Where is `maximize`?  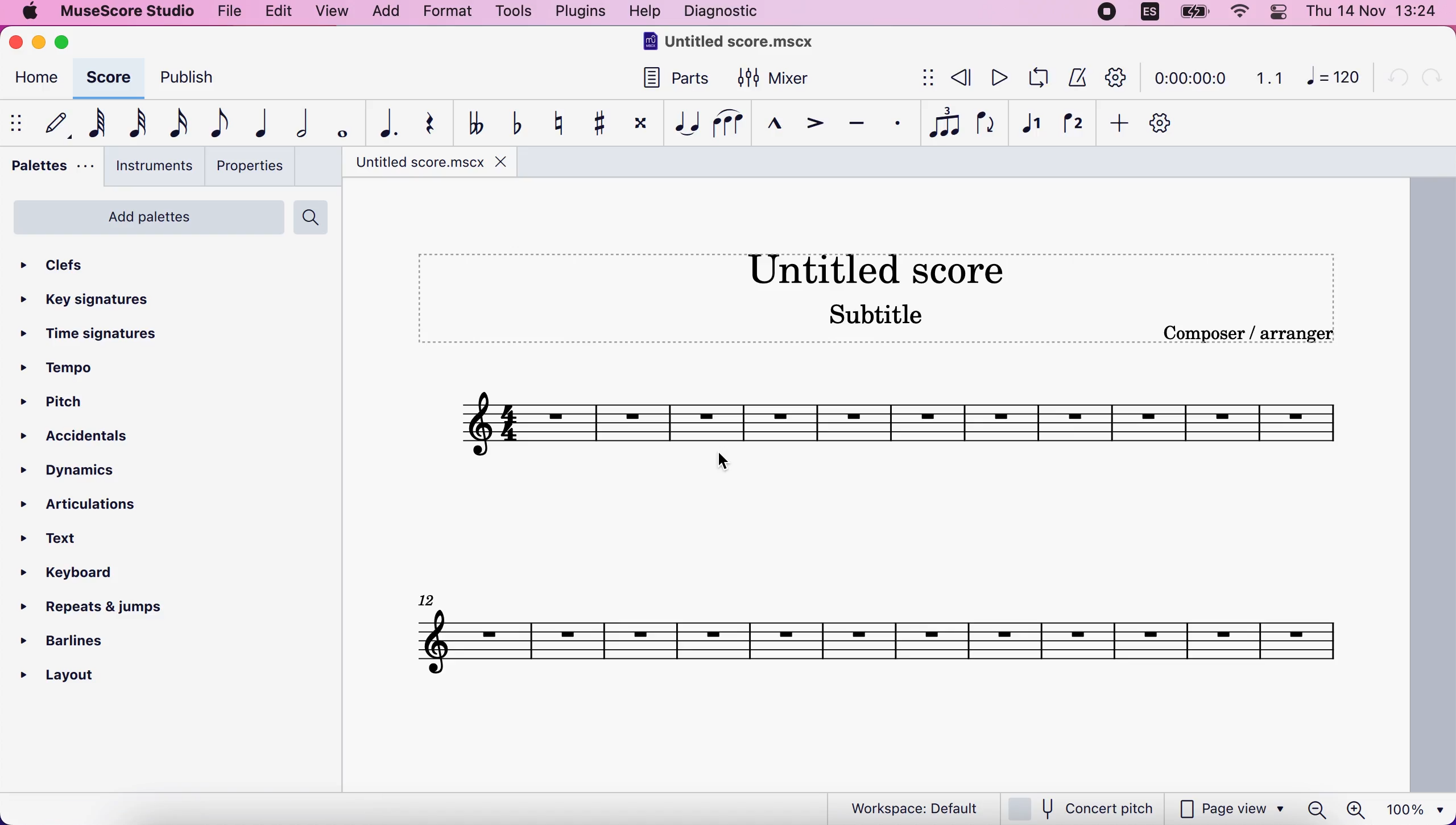 maximize is located at coordinates (67, 41).